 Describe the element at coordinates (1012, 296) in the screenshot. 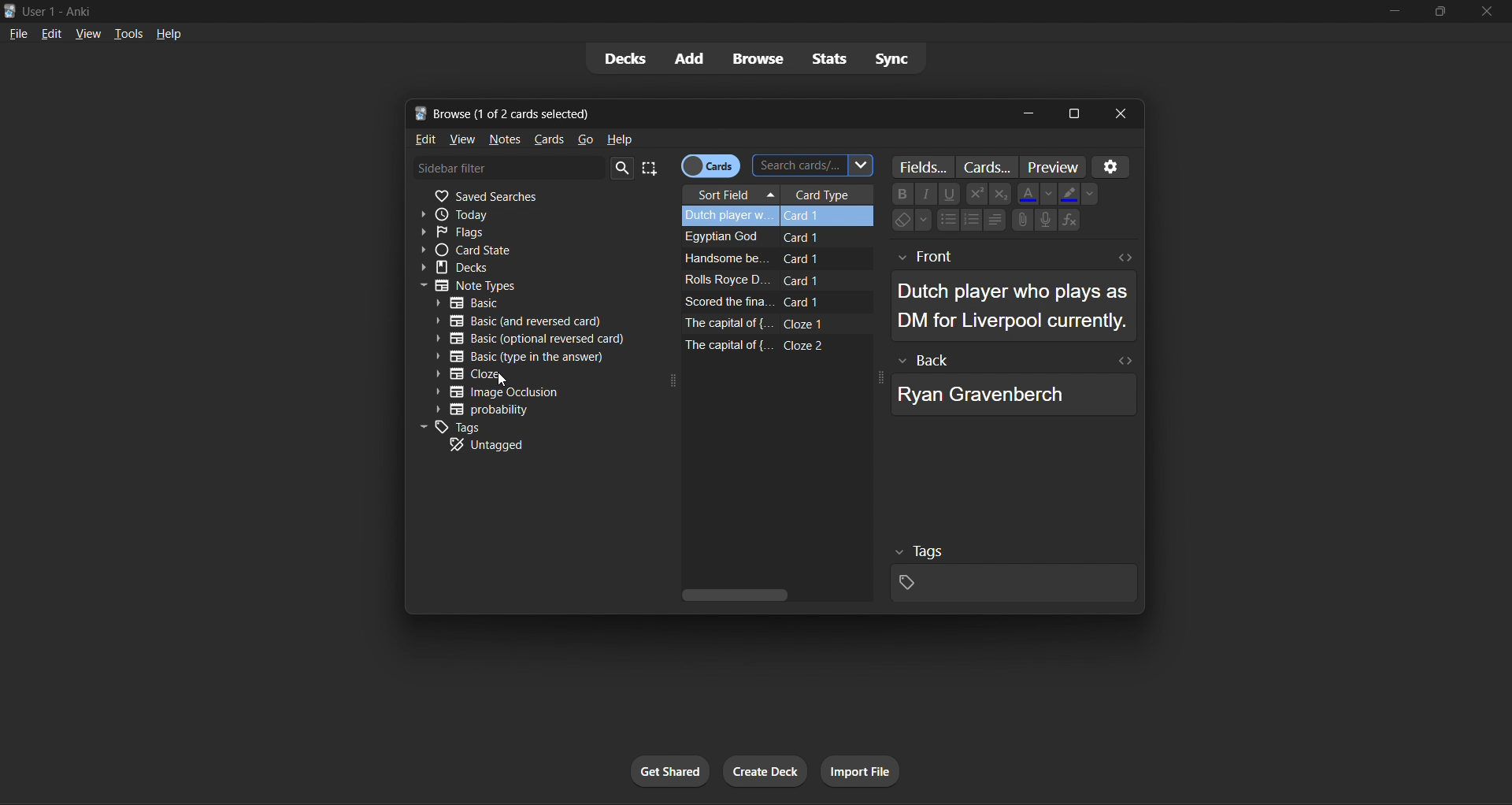

I see `selected card front` at that location.